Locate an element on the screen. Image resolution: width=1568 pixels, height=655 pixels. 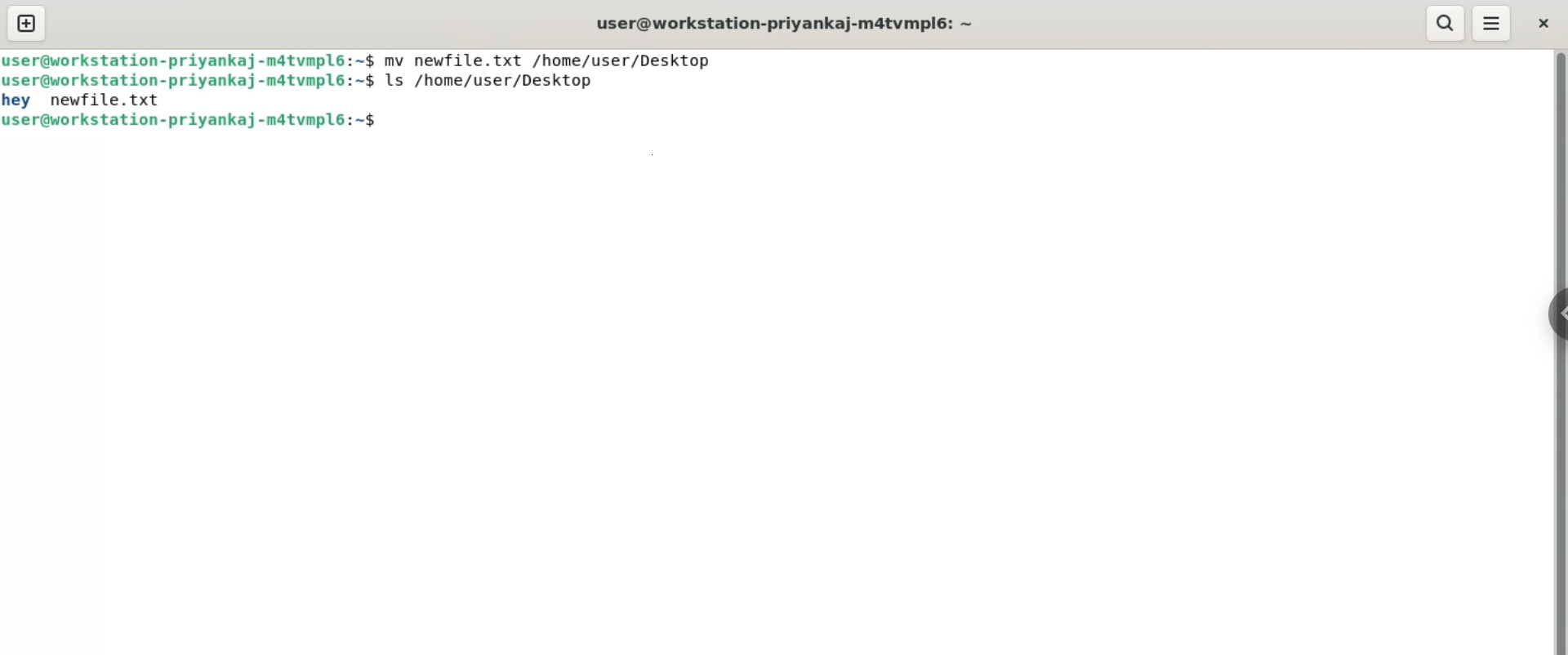
ls /home/user/Desktop is located at coordinates (495, 82).